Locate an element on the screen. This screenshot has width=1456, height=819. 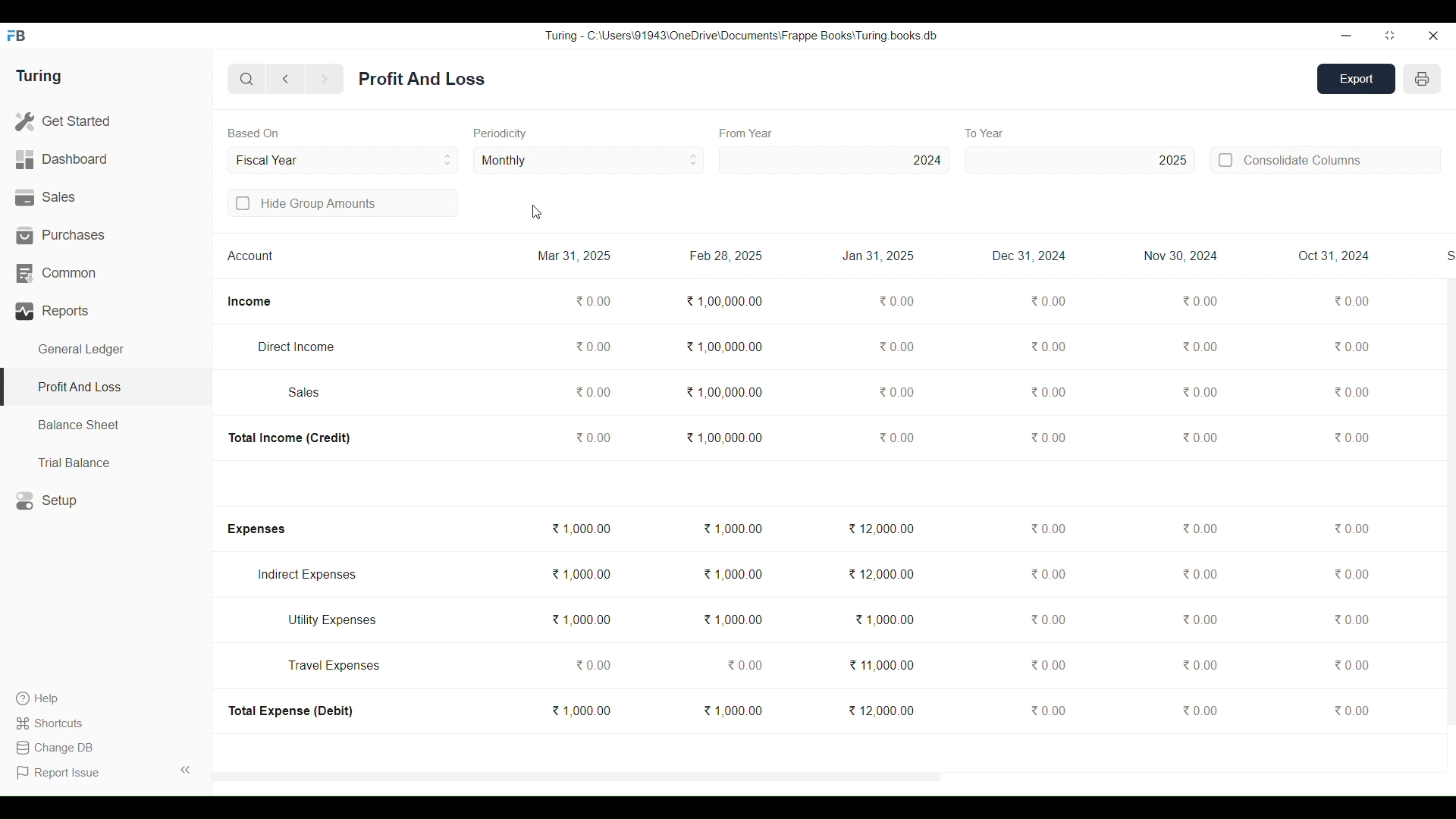
Nov 30, 2024 is located at coordinates (1181, 256).